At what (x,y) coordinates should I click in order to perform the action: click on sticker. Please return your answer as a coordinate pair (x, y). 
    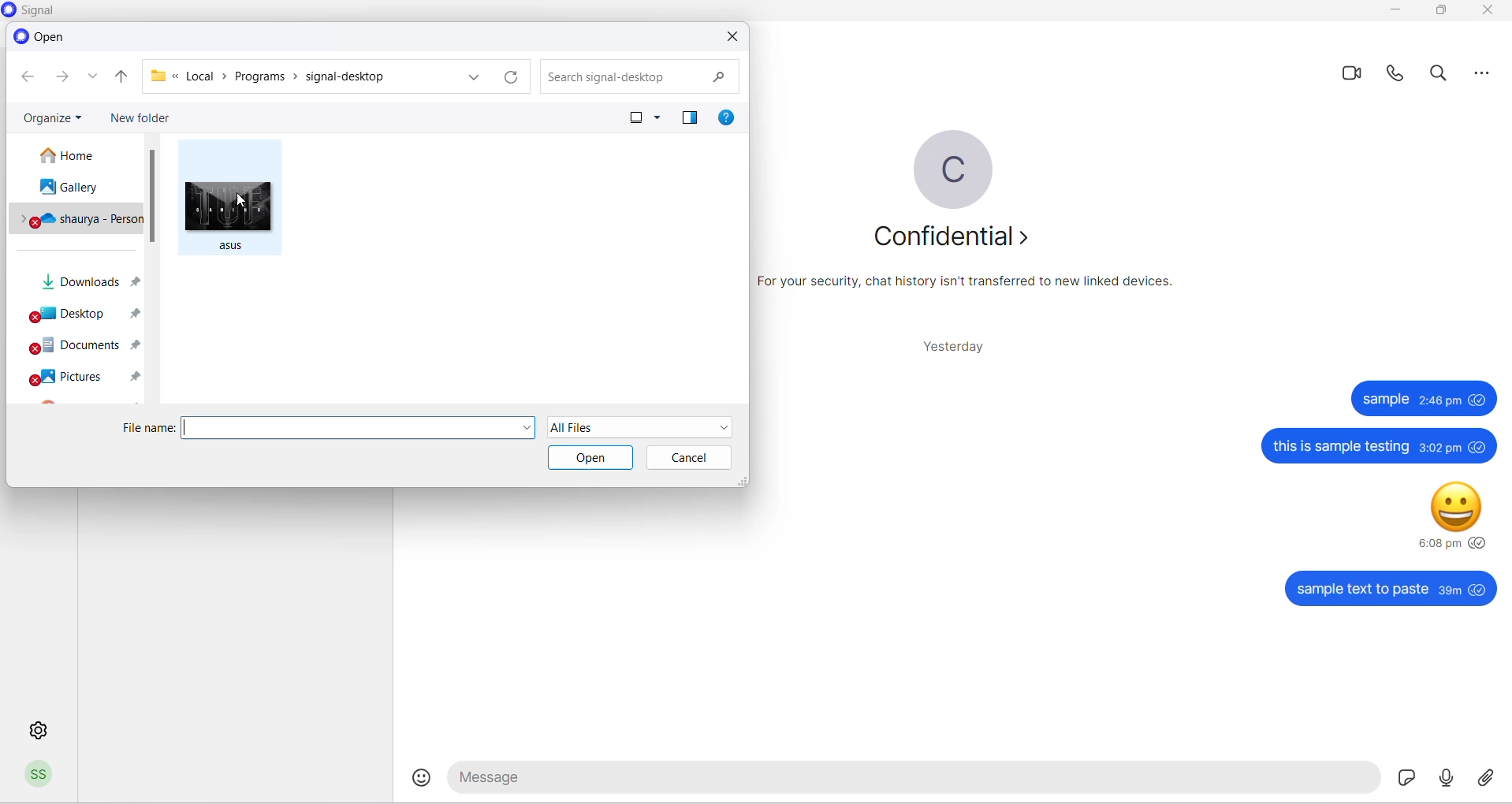
    Looking at the image, I should click on (1399, 777).